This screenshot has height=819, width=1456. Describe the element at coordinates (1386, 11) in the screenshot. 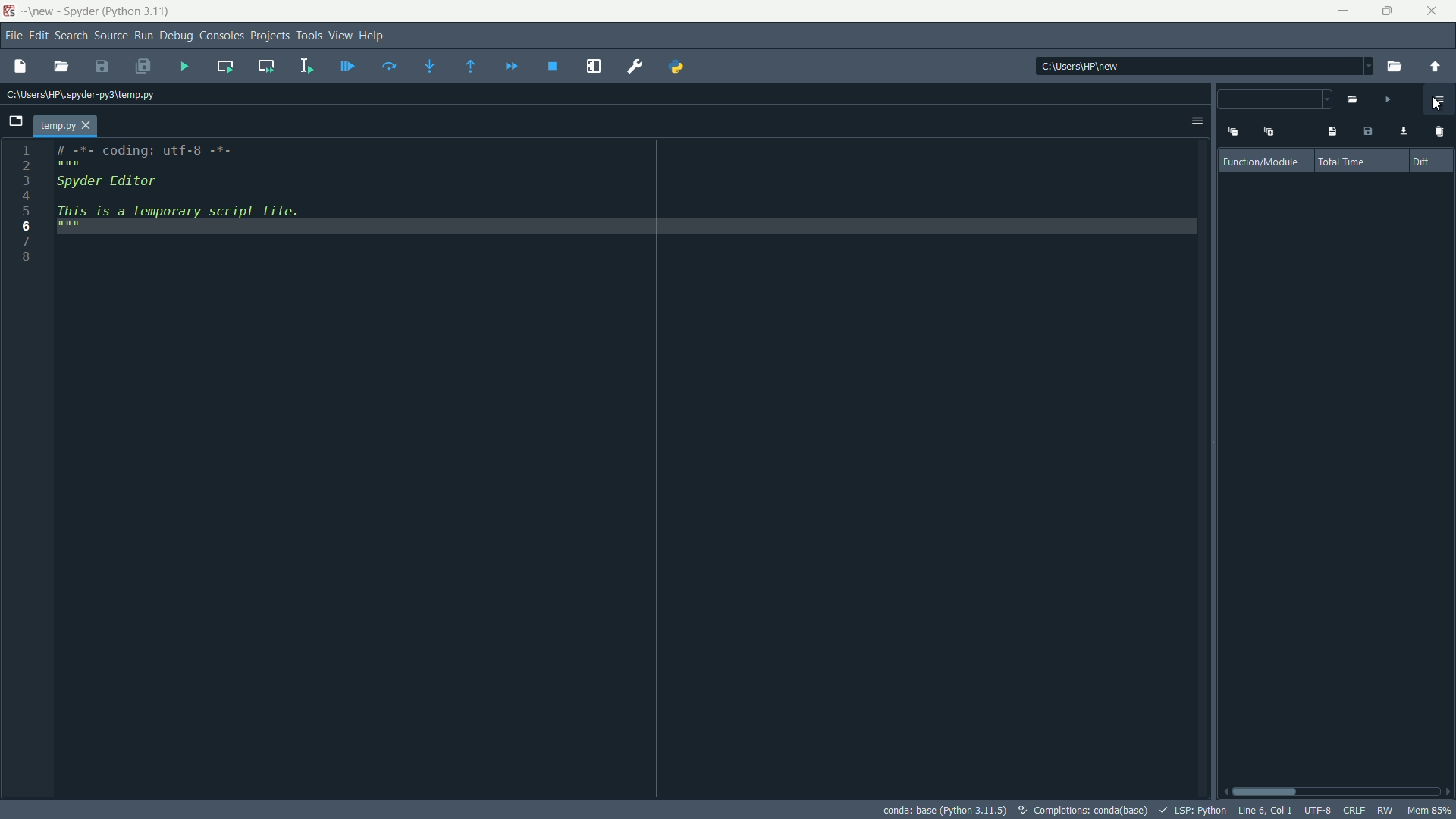

I see `maximize` at that location.